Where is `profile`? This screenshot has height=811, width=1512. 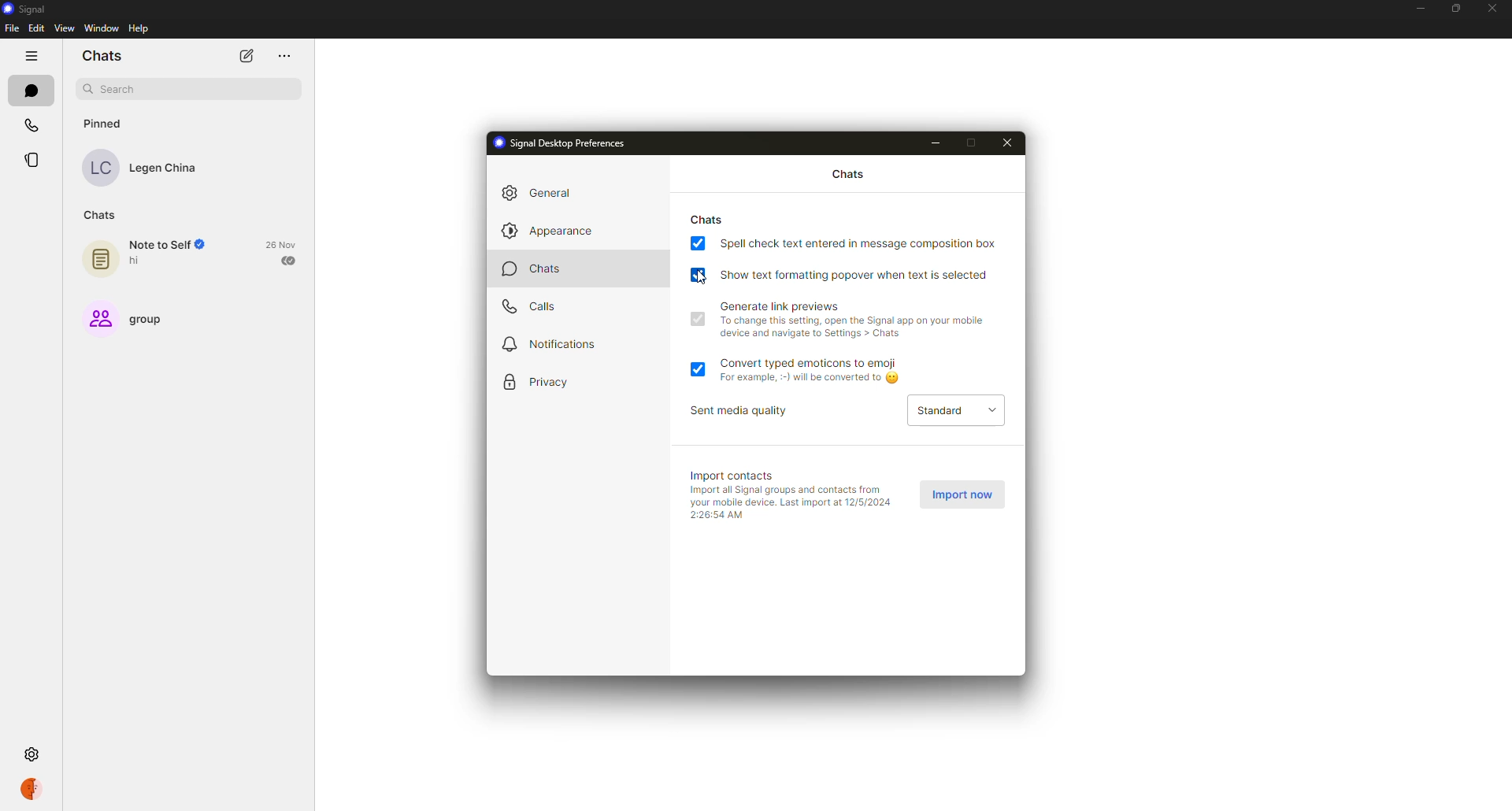
profile is located at coordinates (30, 788).